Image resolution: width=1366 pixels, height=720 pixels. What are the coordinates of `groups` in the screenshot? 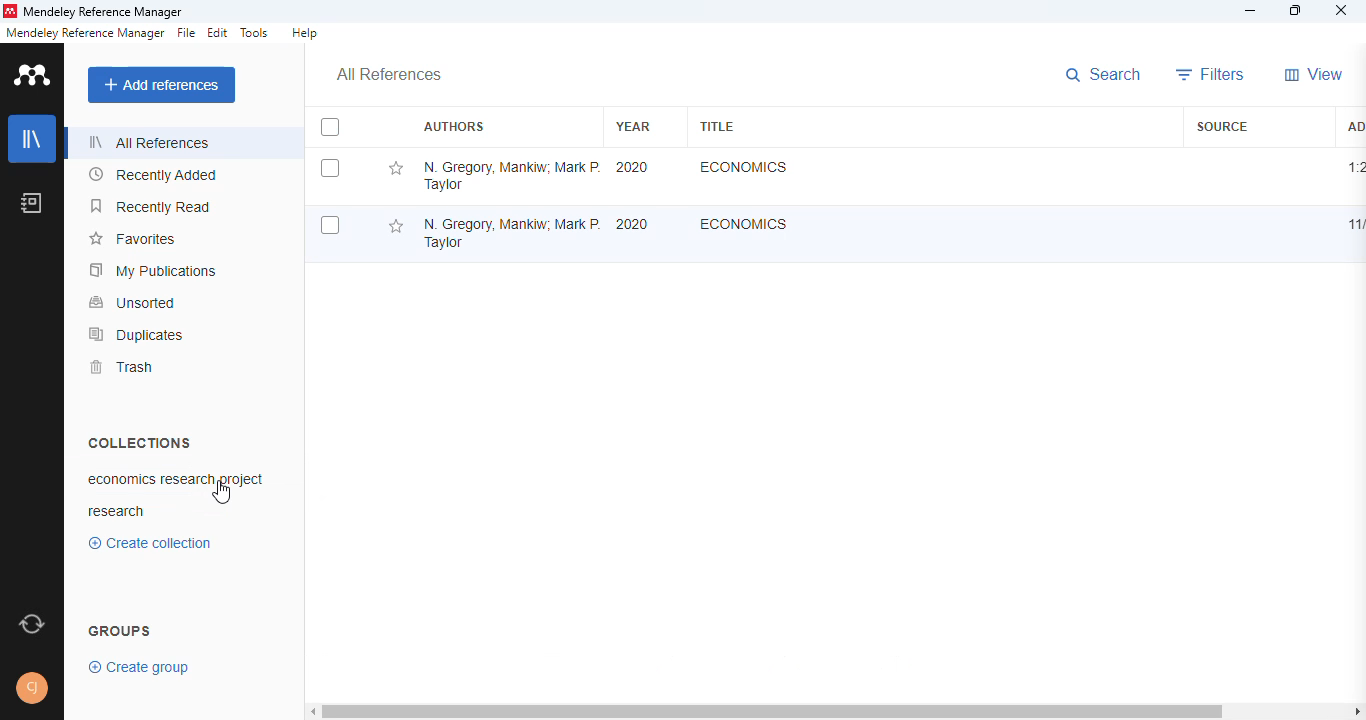 It's located at (121, 629).